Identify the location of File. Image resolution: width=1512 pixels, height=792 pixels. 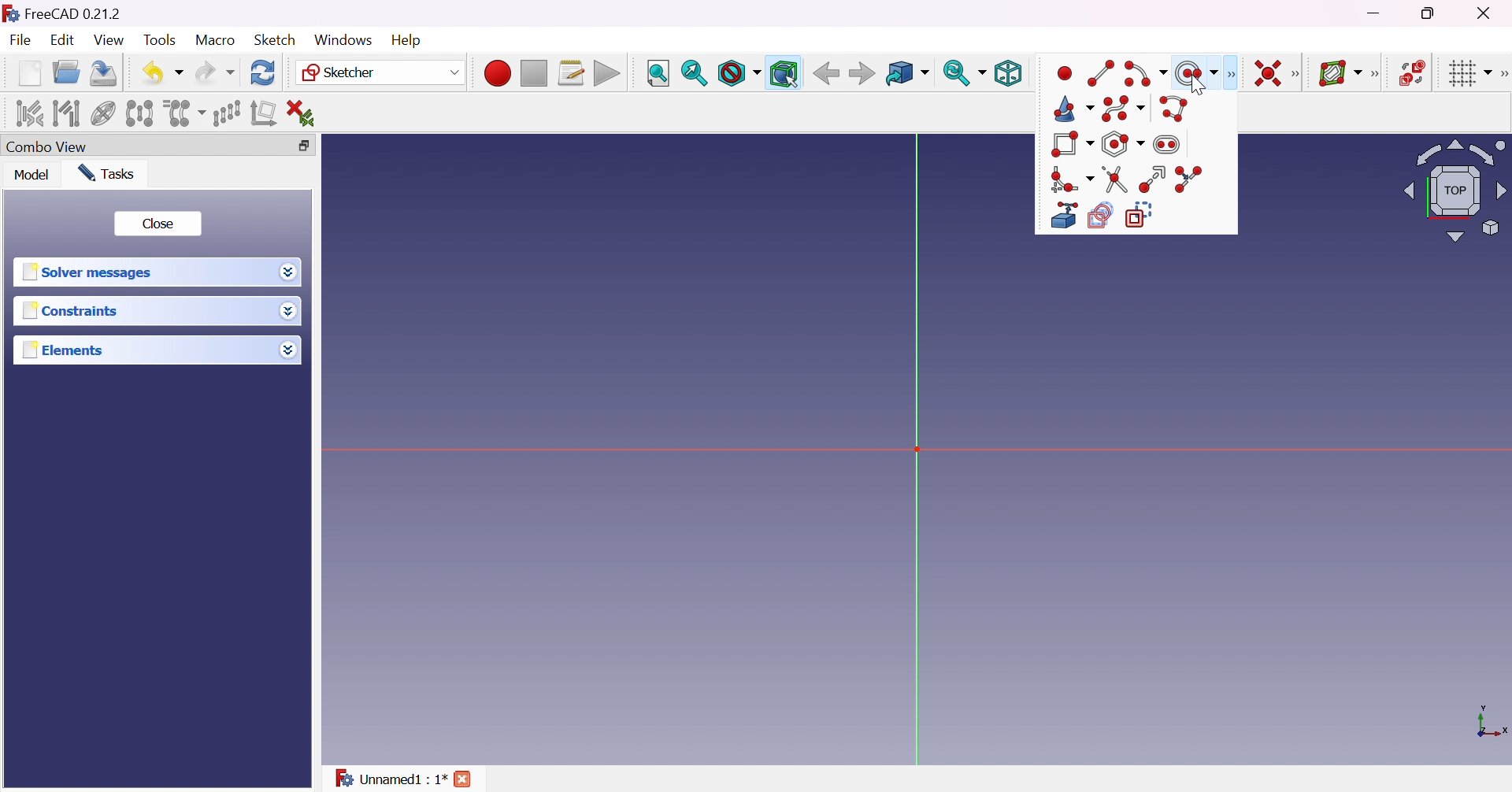
(22, 42).